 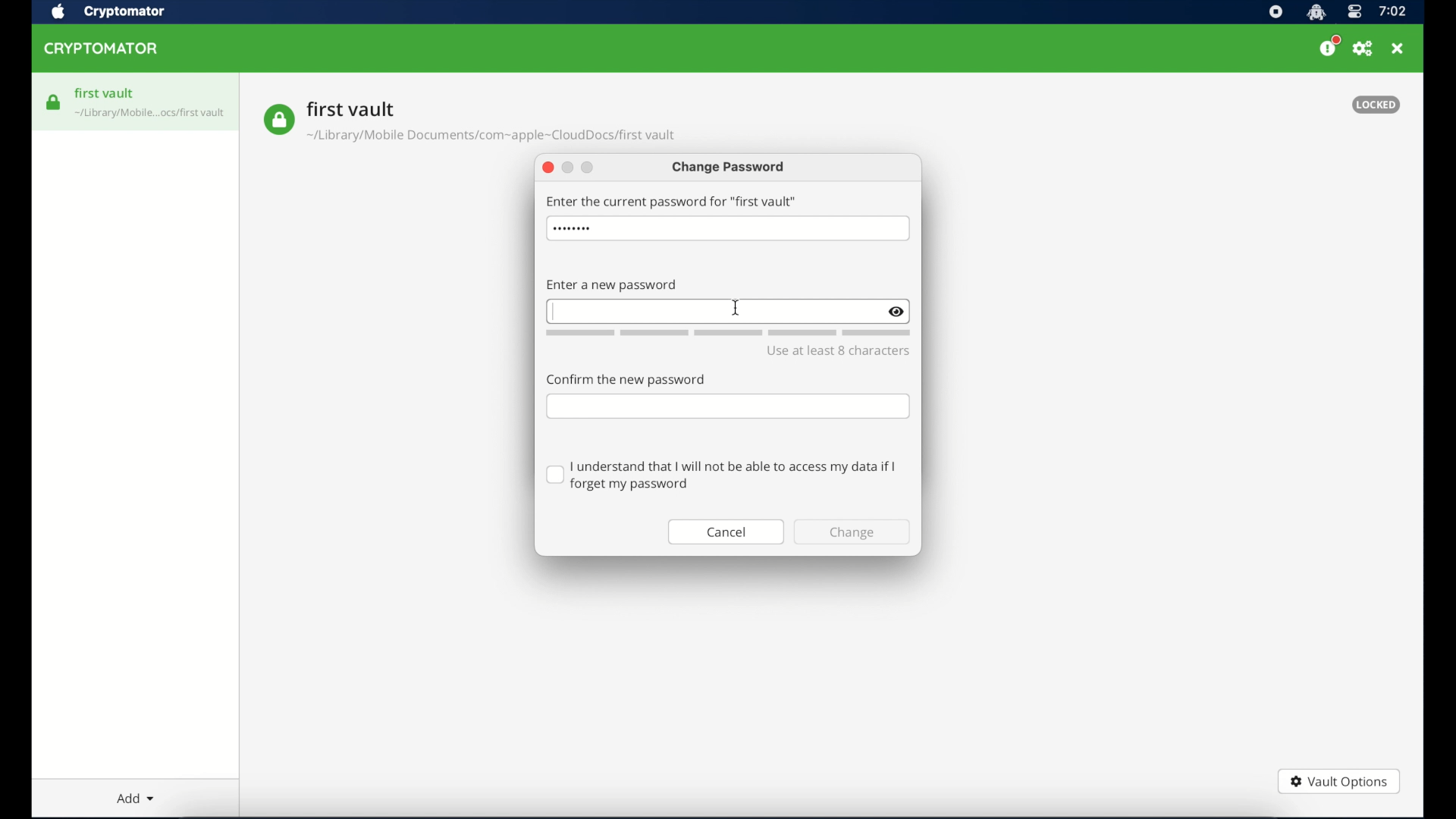 What do you see at coordinates (838, 350) in the screenshot?
I see `use at least 8 character` at bounding box center [838, 350].